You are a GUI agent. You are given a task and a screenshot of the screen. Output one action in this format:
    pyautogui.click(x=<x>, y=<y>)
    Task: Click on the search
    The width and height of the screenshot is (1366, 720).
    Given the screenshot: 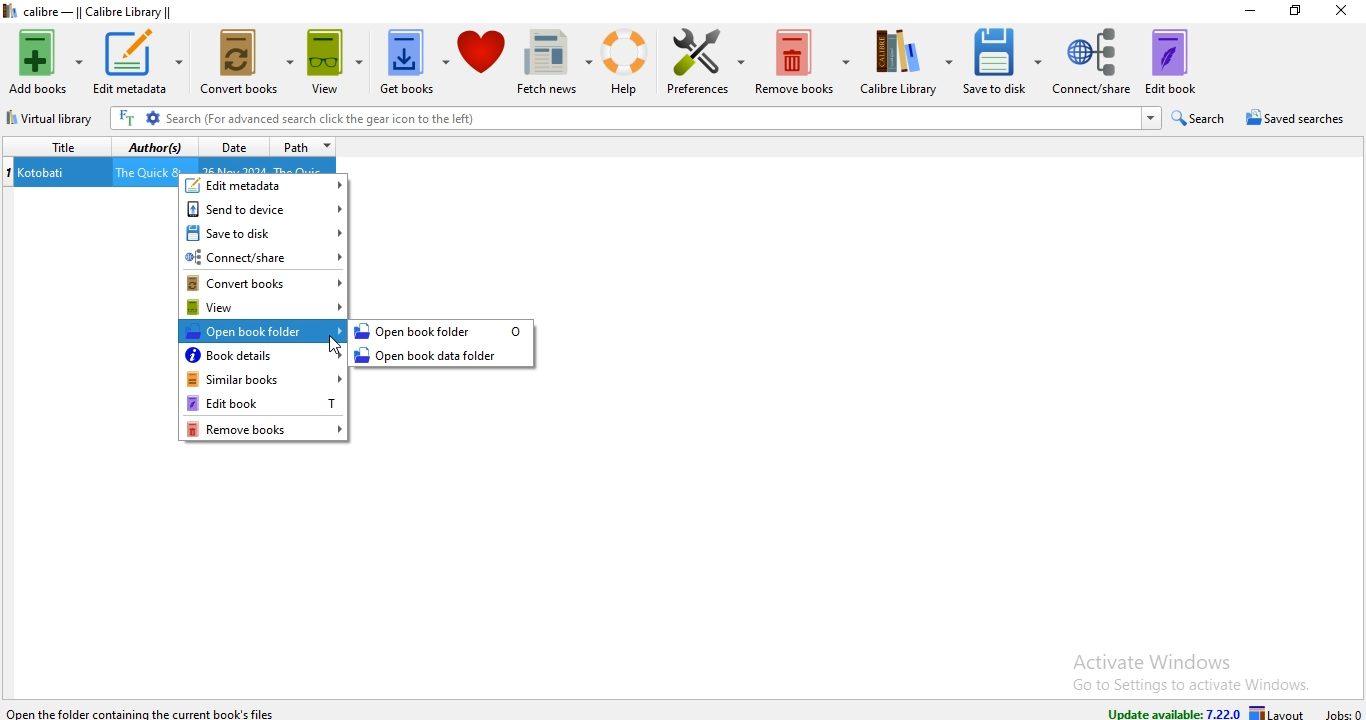 What is the action you would take?
    pyautogui.click(x=1199, y=116)
    